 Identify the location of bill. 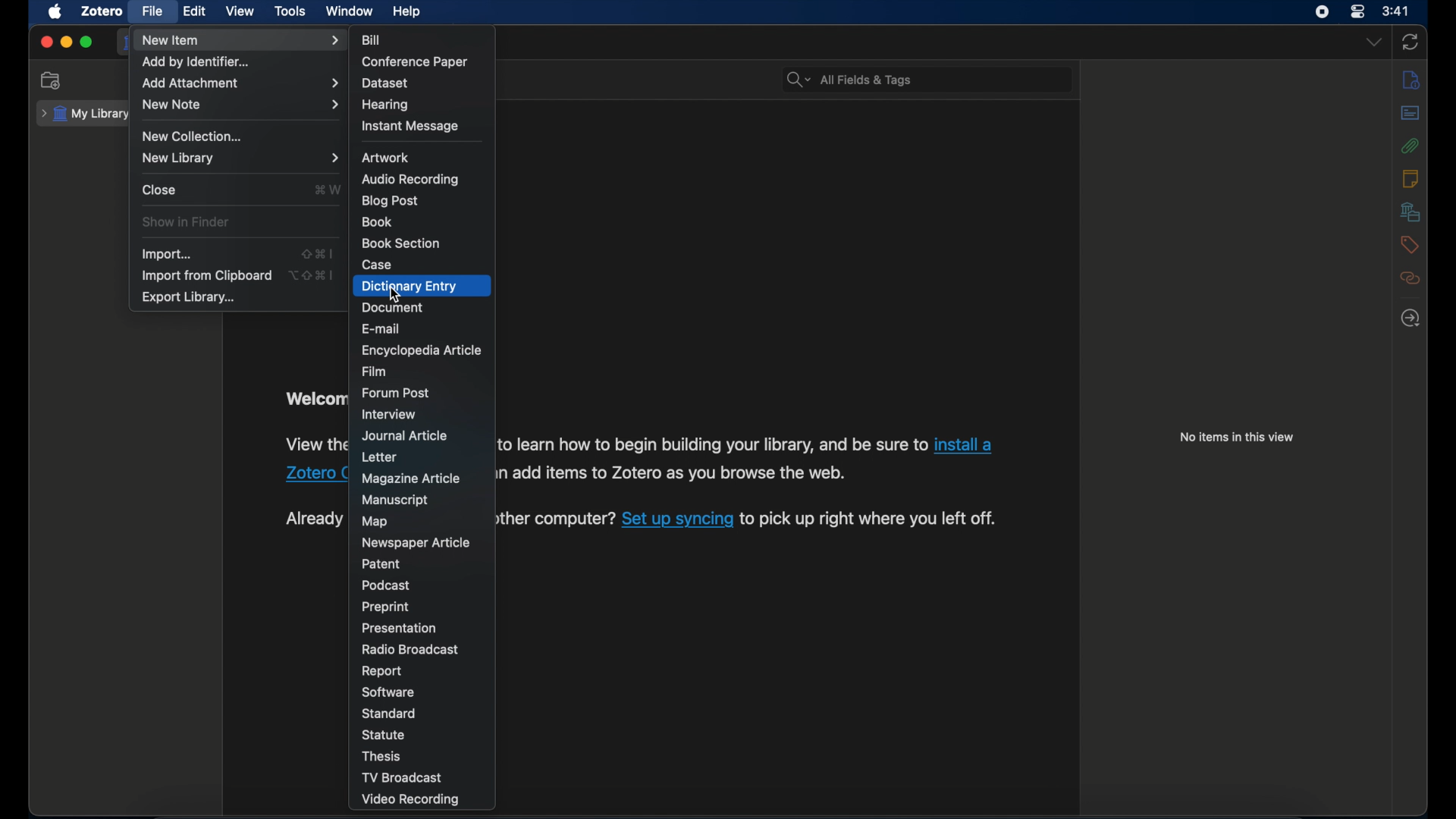
(373, 40).